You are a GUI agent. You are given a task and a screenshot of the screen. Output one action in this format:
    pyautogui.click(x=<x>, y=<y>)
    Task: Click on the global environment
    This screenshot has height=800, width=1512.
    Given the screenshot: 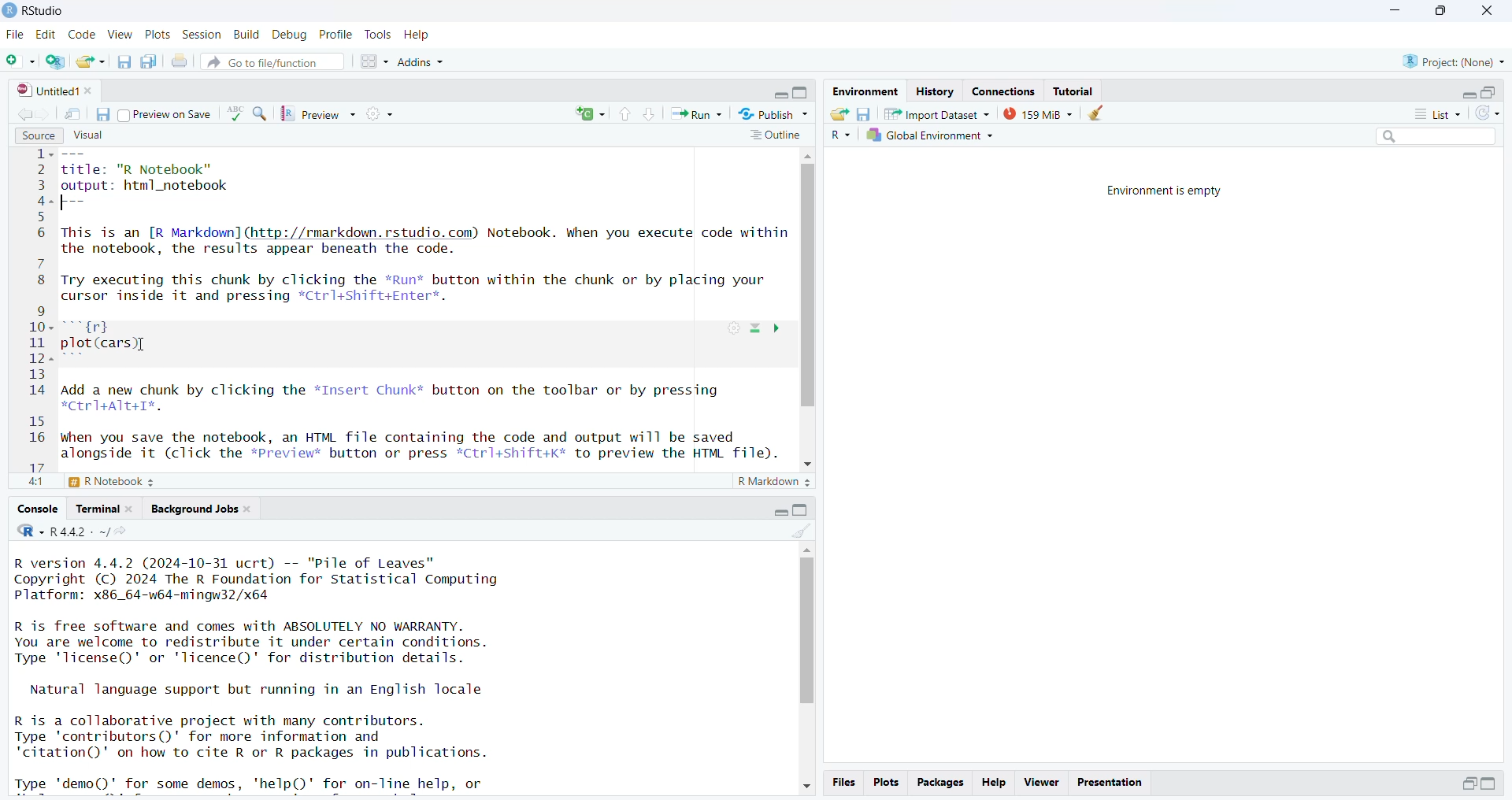 What is the action you would take?
    pyautogui.click(x=928, y=136)
    